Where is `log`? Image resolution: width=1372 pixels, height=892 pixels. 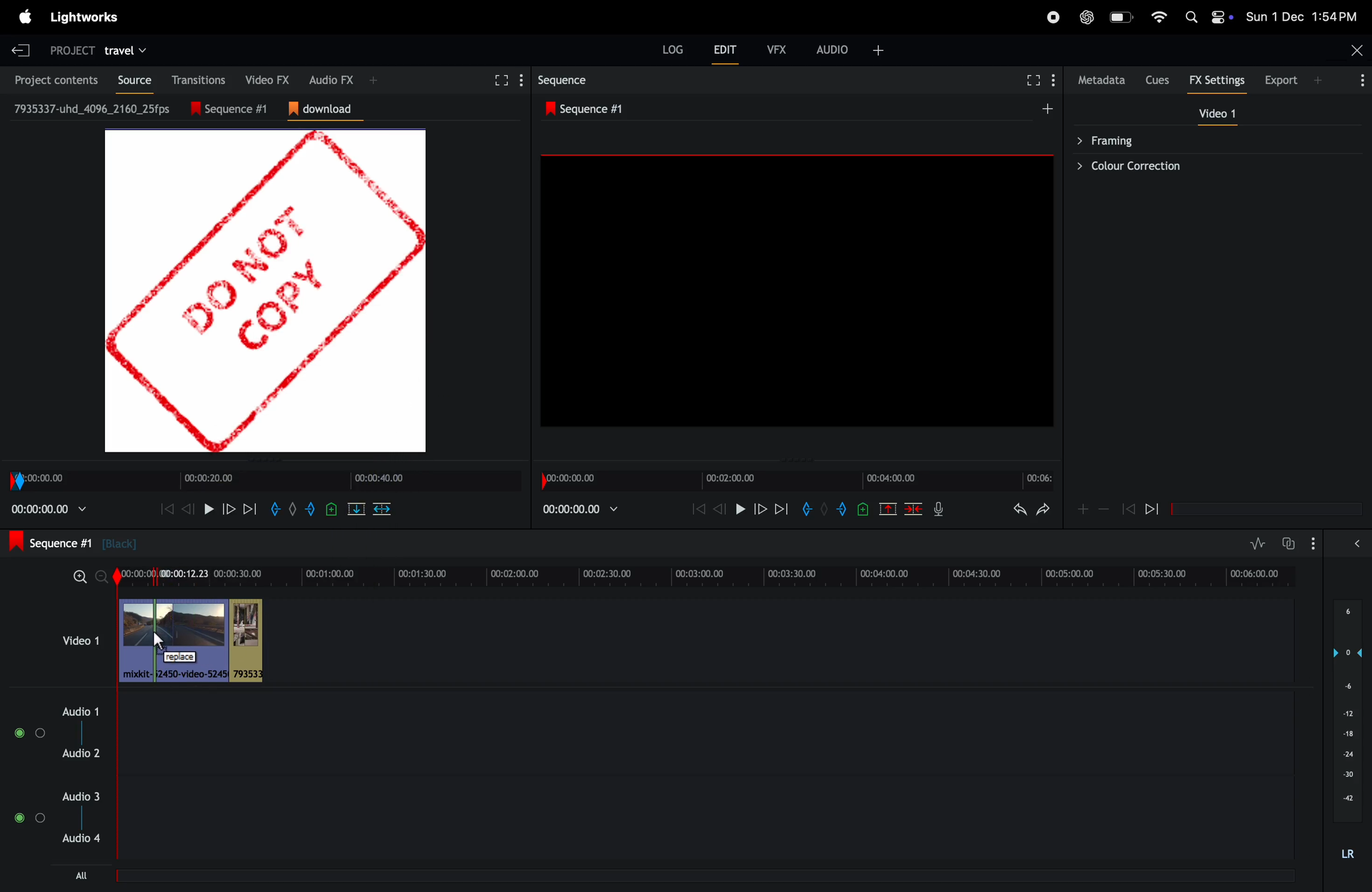
log is located at coordinates (673, 49).